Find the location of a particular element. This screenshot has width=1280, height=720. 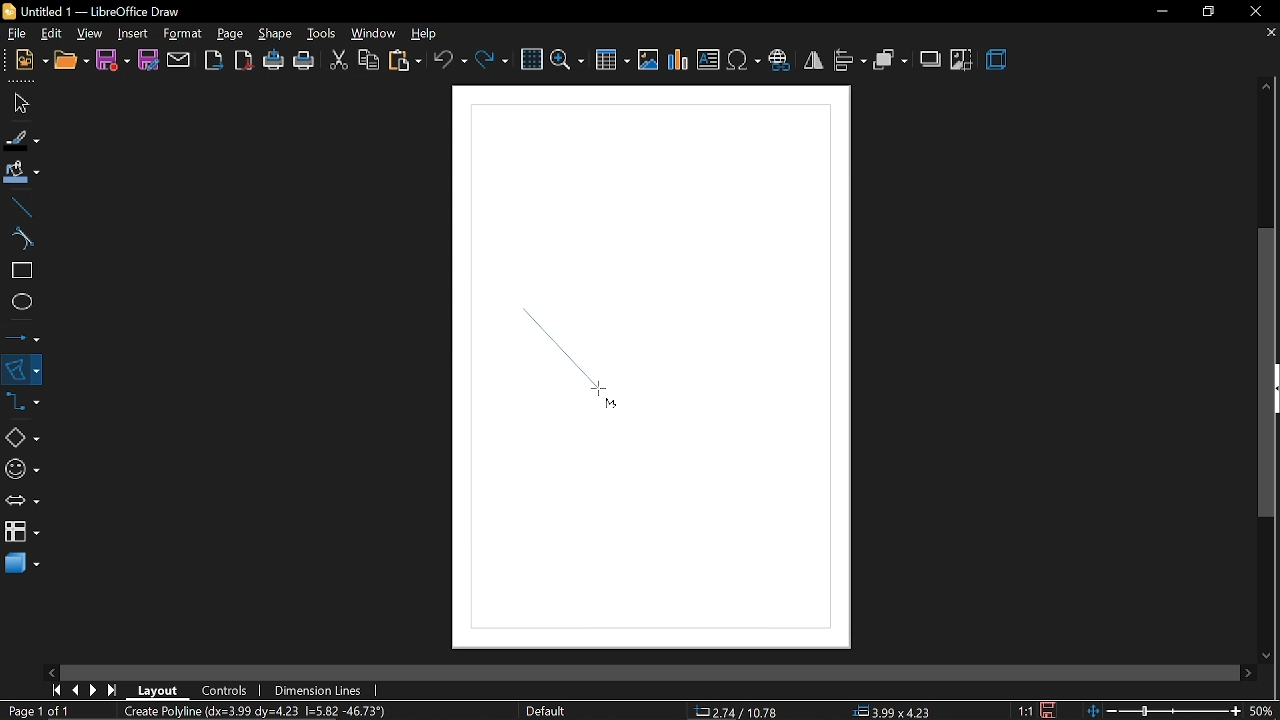

Cursor is located at coordinates (600, 395).